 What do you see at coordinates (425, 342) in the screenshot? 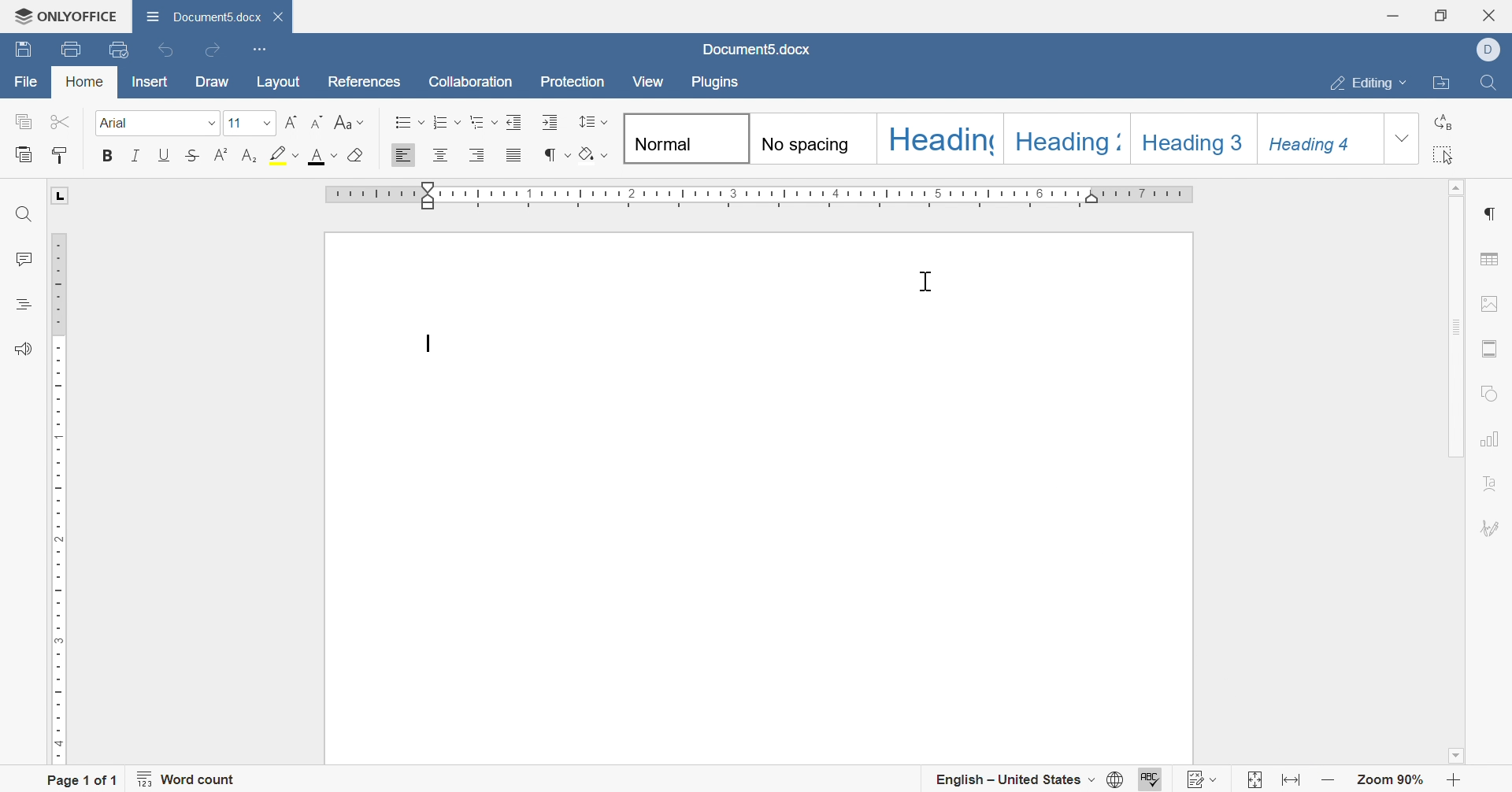
I see `typing cursor` at bounding box center [425, 342].